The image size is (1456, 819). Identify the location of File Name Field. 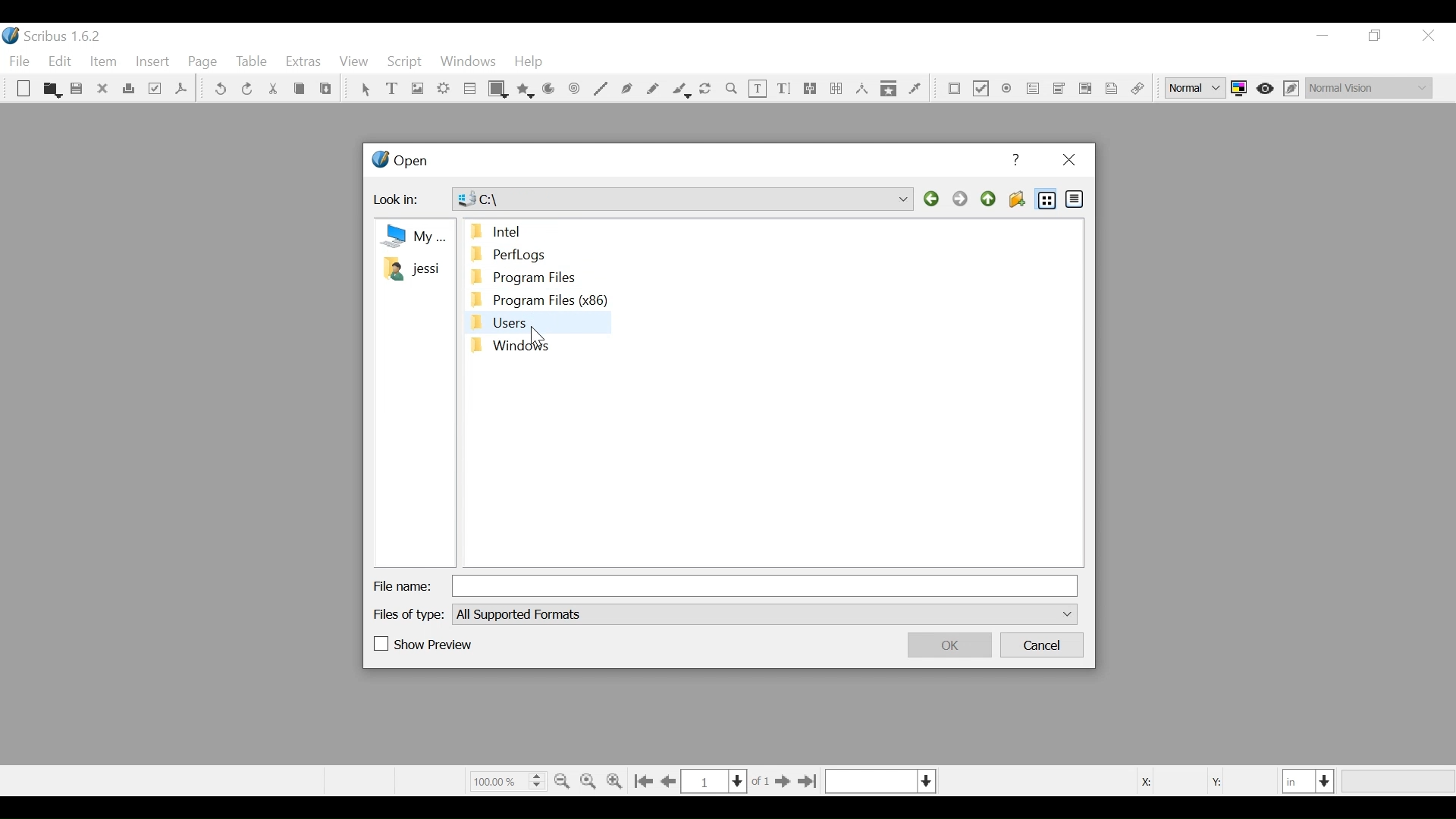
(767, 585).